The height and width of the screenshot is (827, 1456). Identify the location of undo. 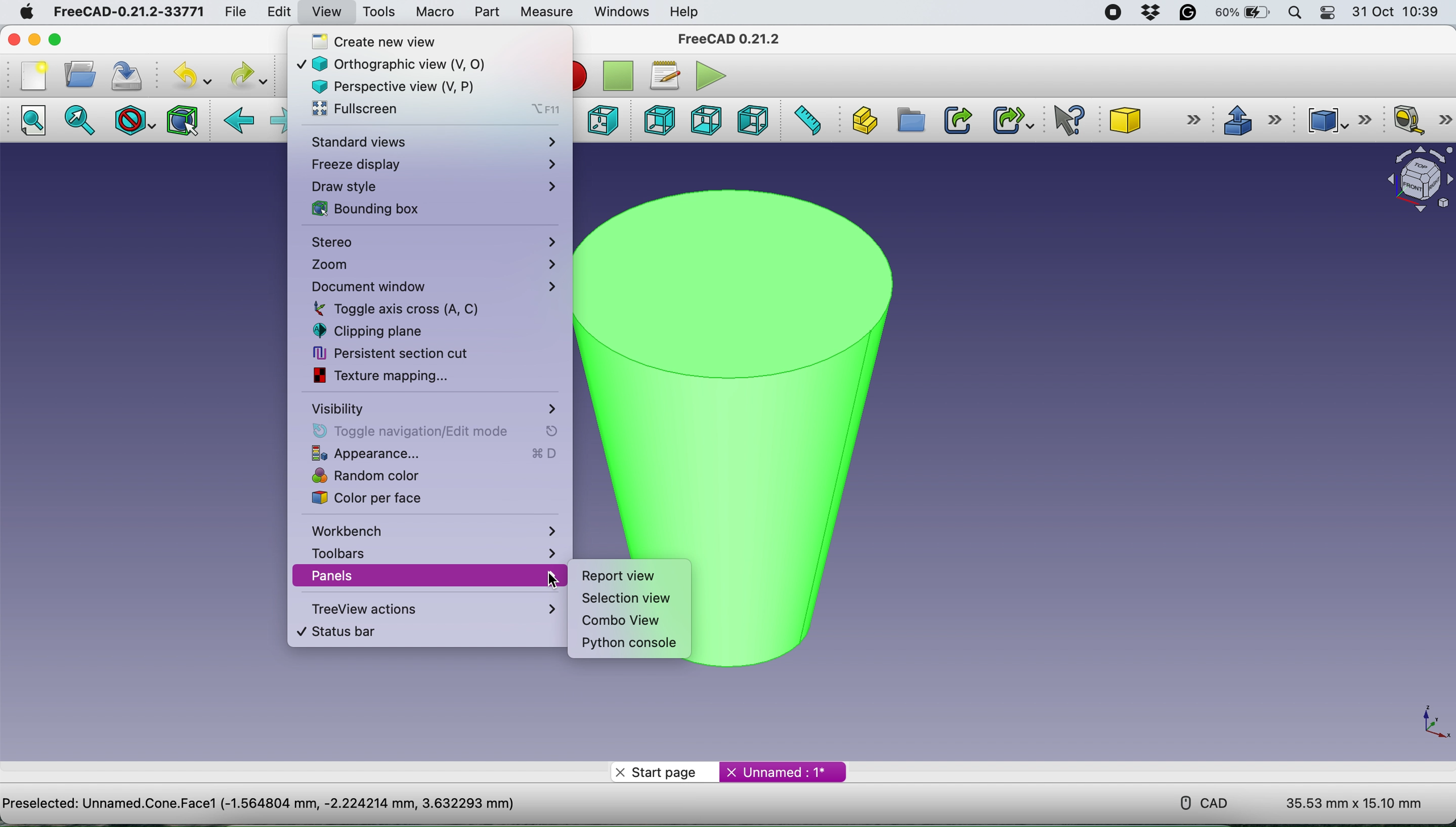
(188, 76).